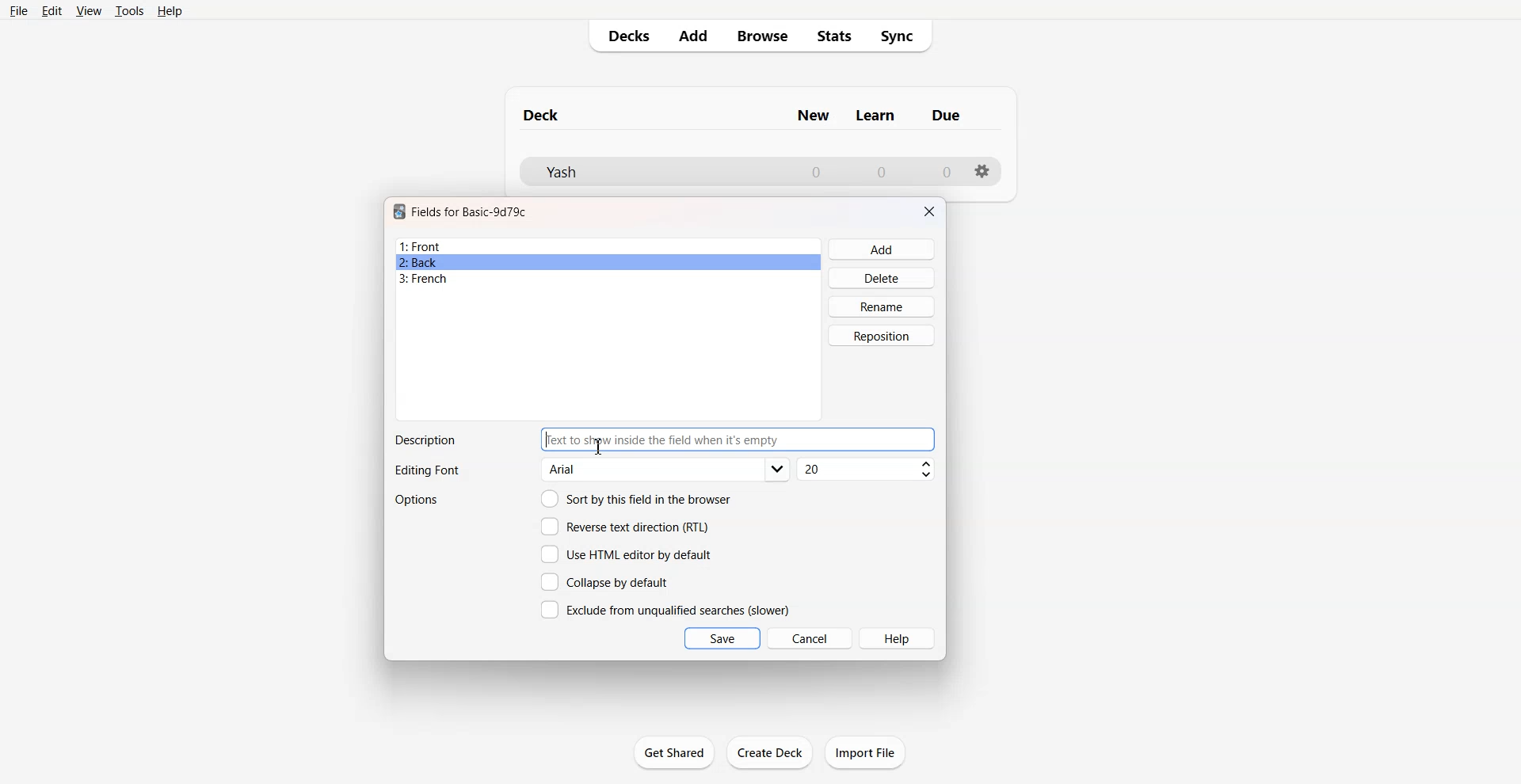  I want to click on Cancel, so click(810, 637).